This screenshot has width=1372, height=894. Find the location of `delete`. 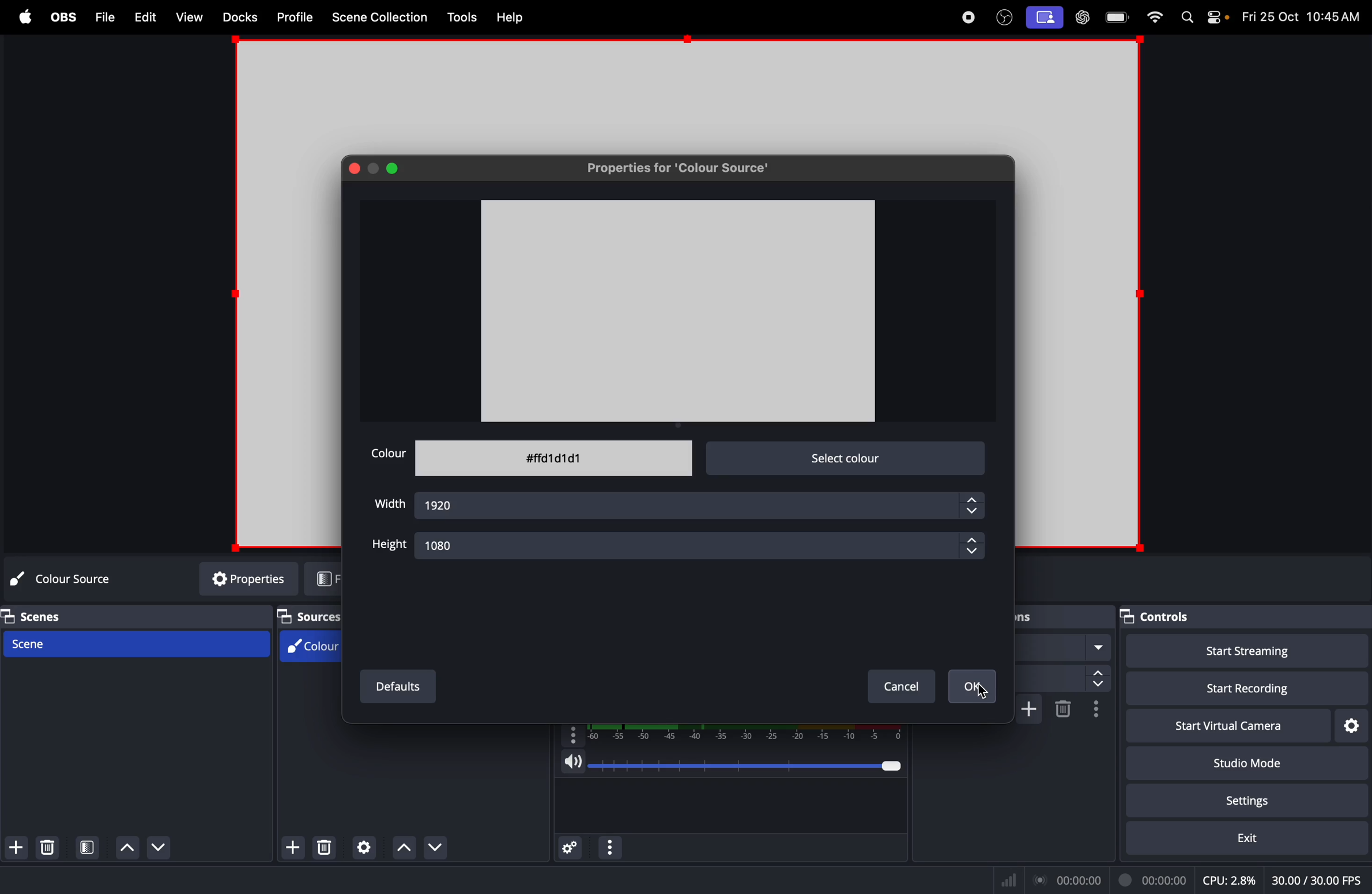

delete is located at coordinates (52, 847).